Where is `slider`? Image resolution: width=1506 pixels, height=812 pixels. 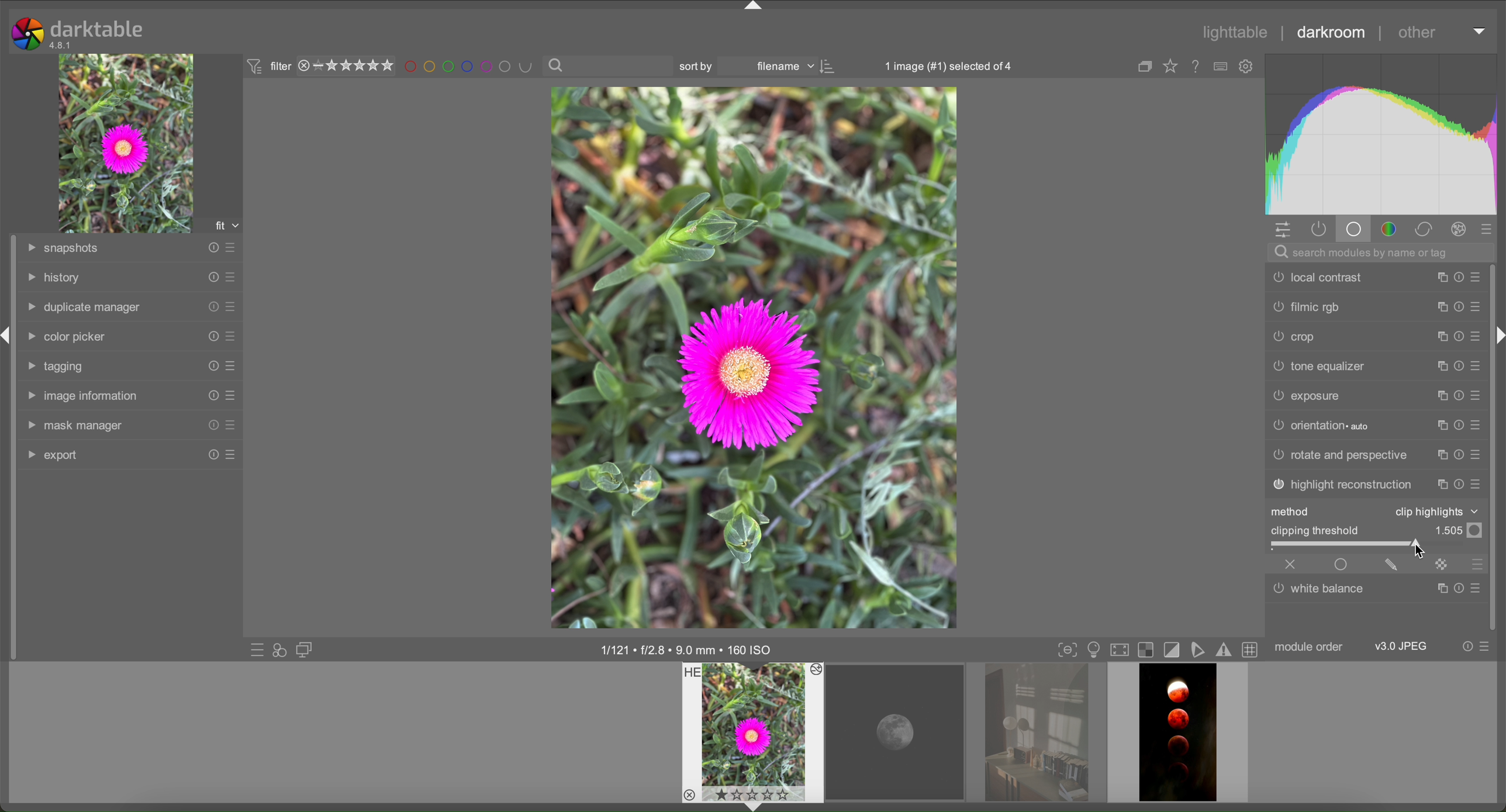
slider is located at coordinates (1379, 545).